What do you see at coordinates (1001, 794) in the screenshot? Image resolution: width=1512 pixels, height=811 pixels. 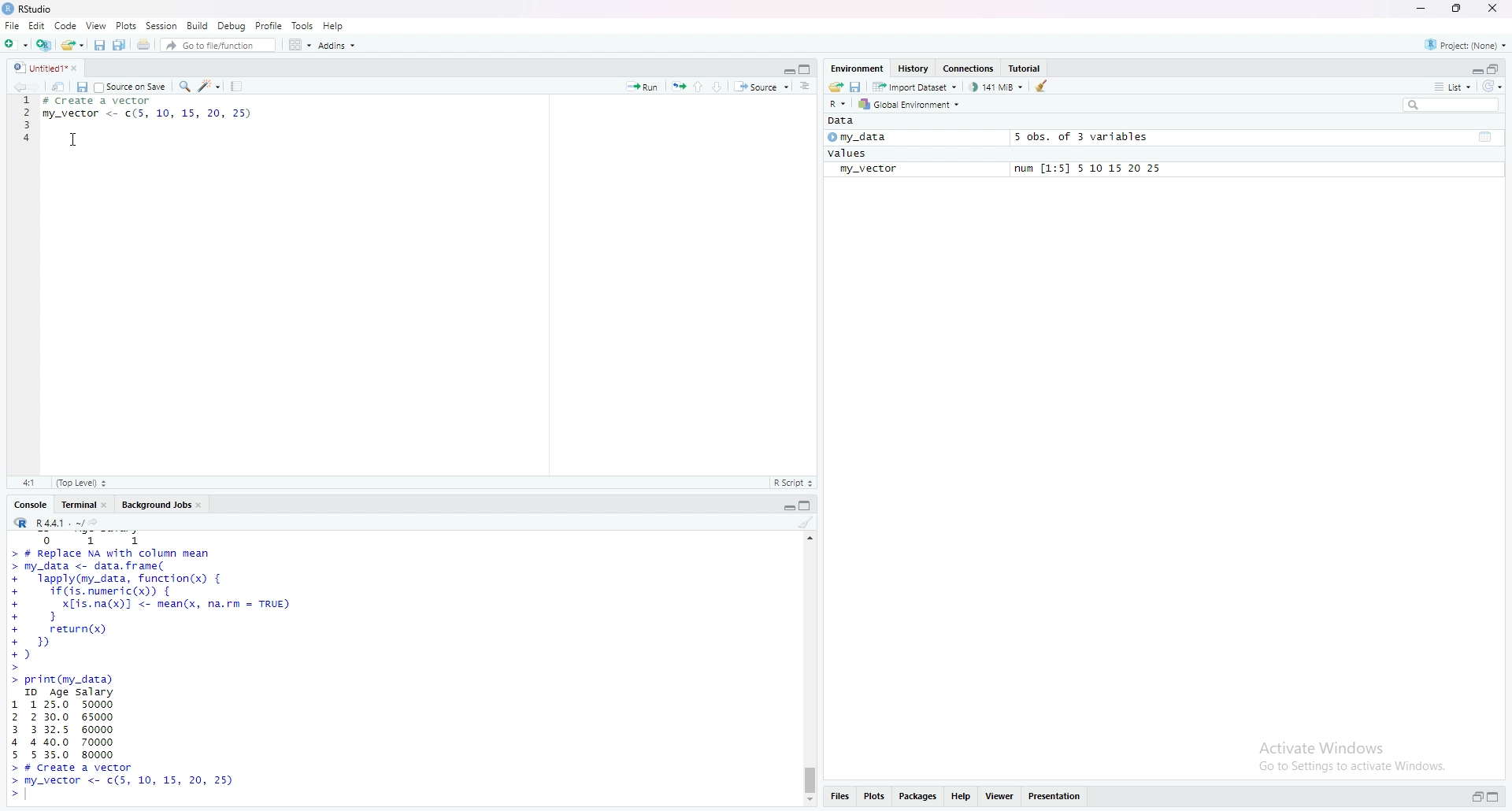 I see `viewer` at bounding box center [1001, 794].